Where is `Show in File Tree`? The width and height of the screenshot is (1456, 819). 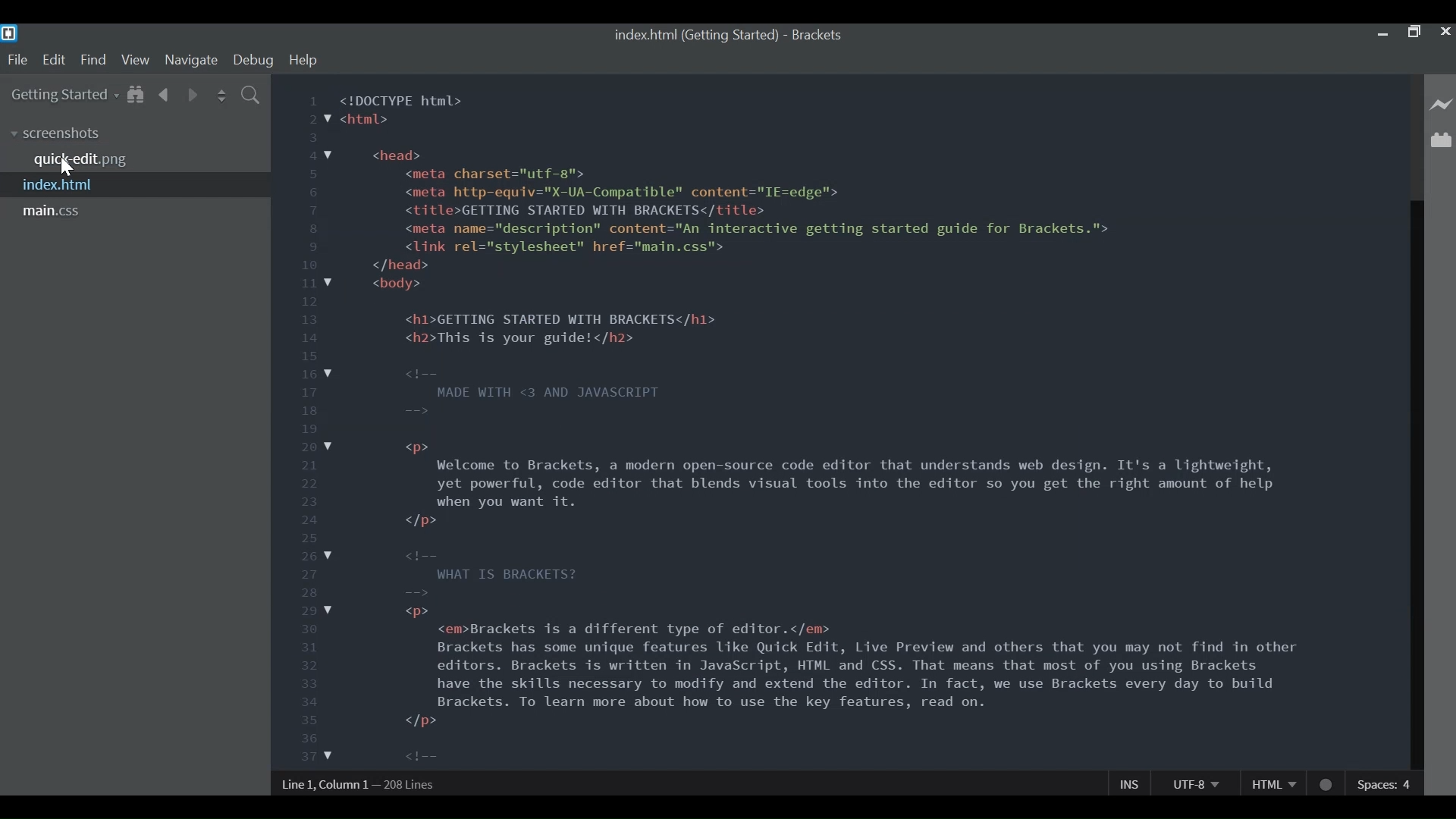
Show in File Tree is located at coordinates (139, 94).